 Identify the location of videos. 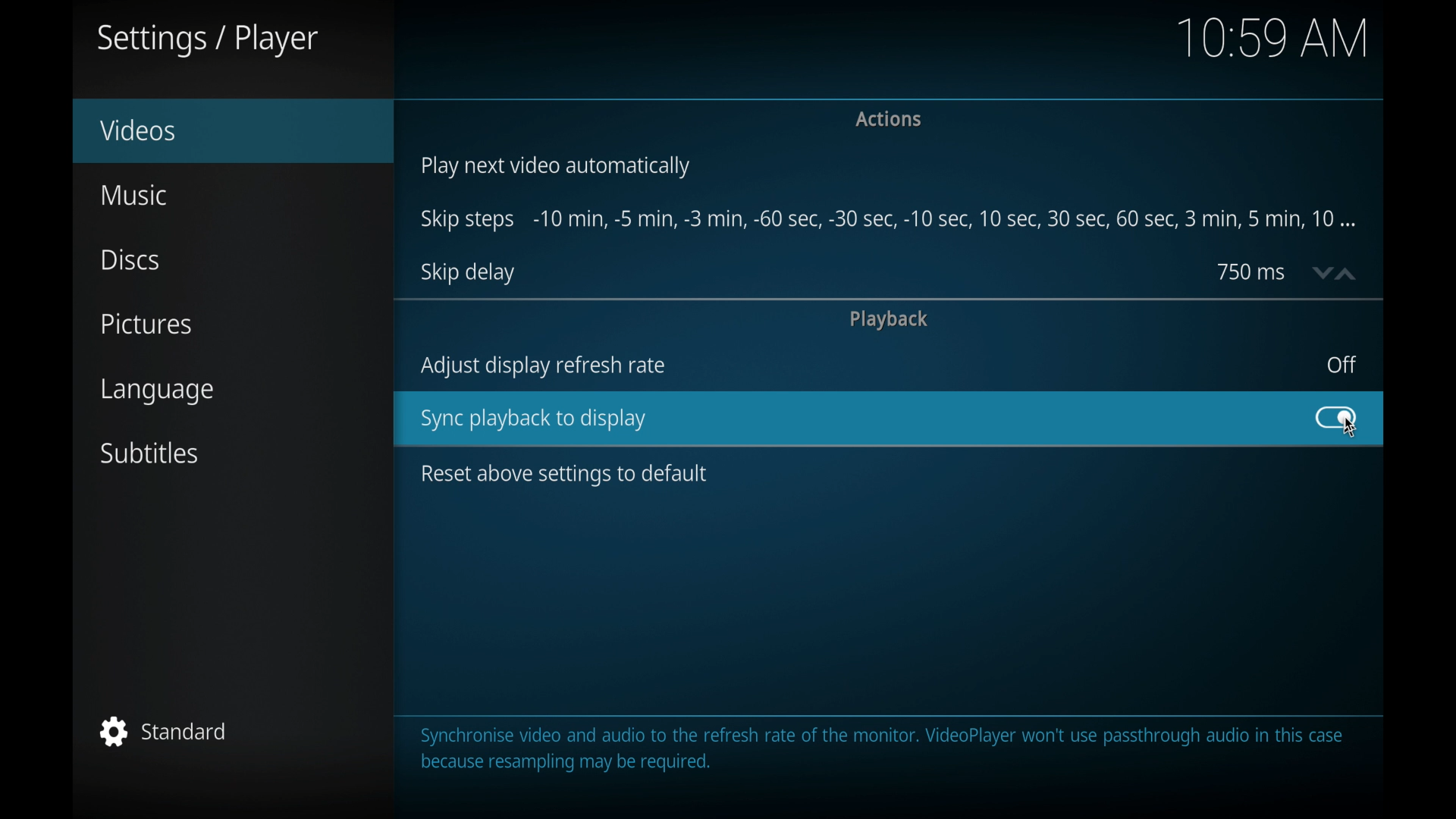
(138, 130).